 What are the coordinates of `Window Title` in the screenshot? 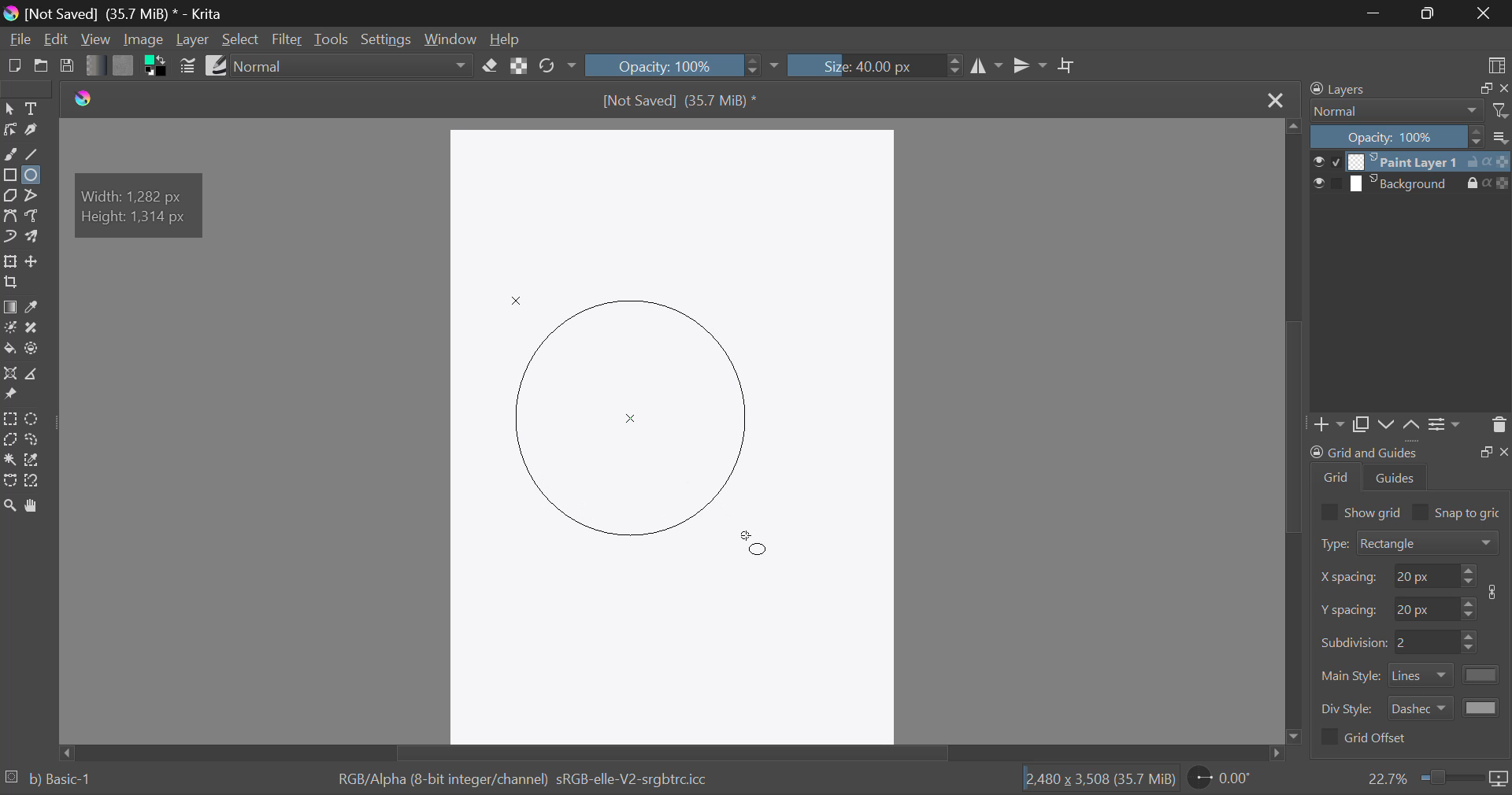 It's located at (115, 13).